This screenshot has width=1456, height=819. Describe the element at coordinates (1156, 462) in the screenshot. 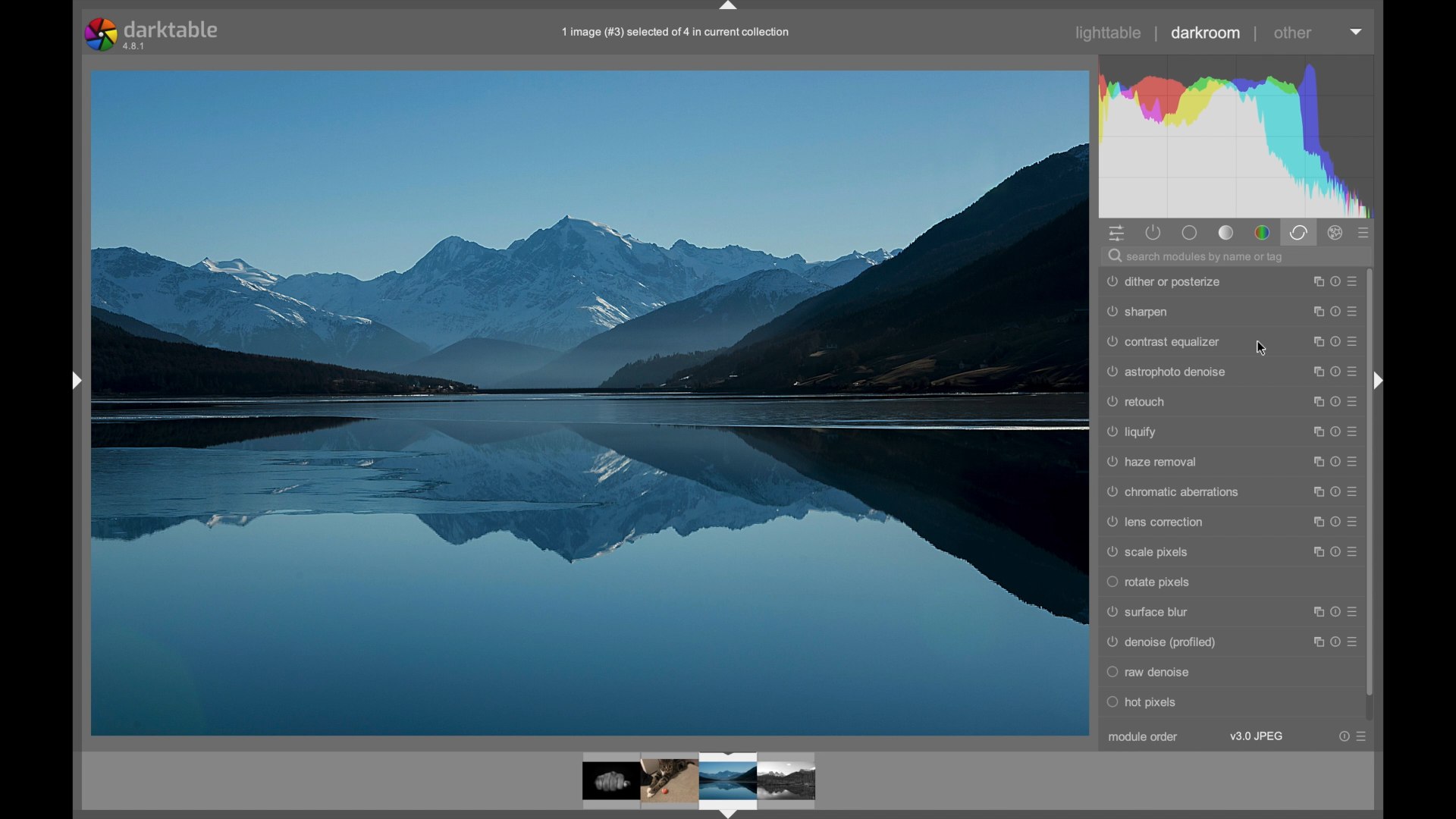

I see `haze  removal` at that location.